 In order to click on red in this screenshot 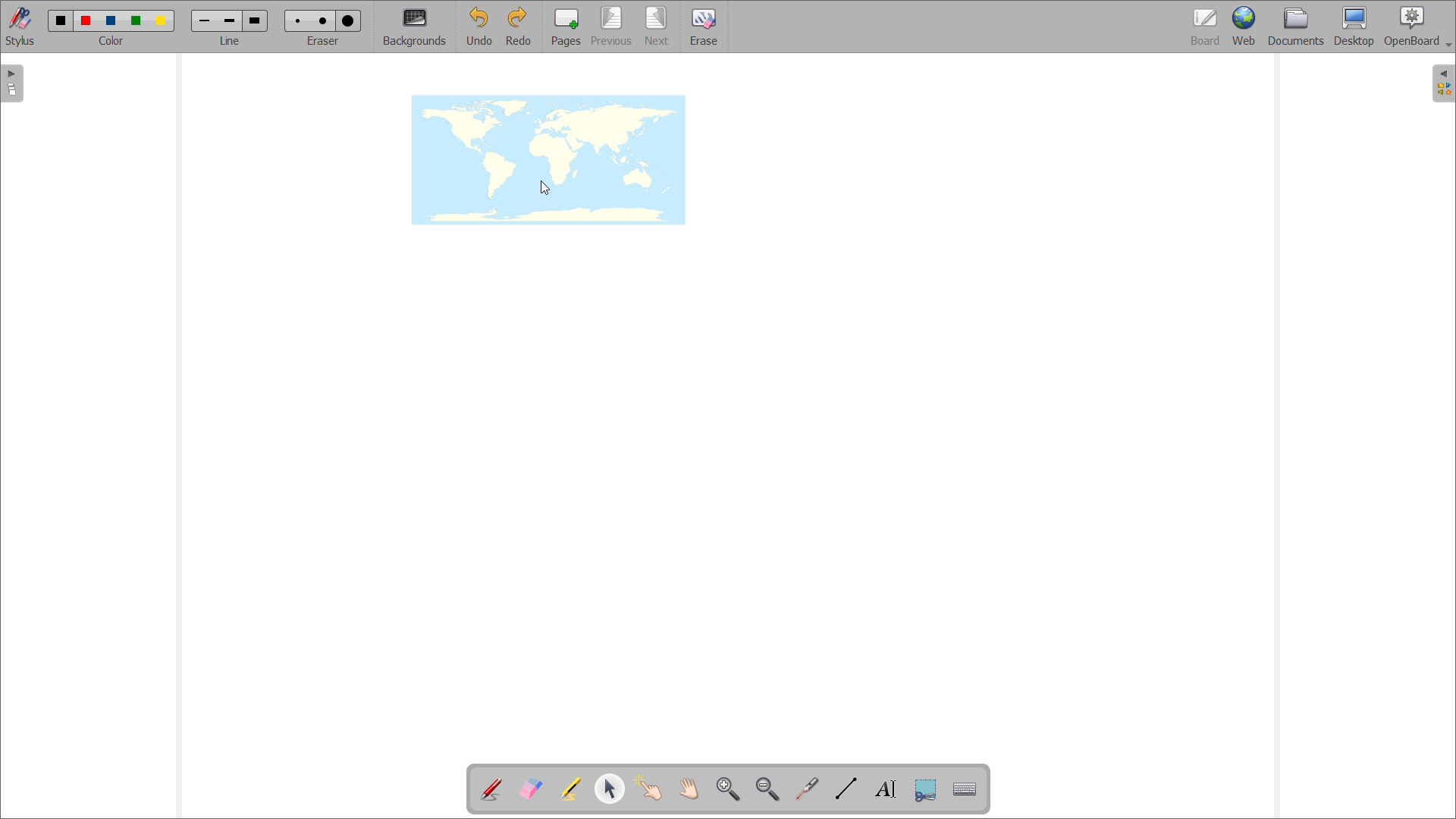, I will do `click(86, 20)`.